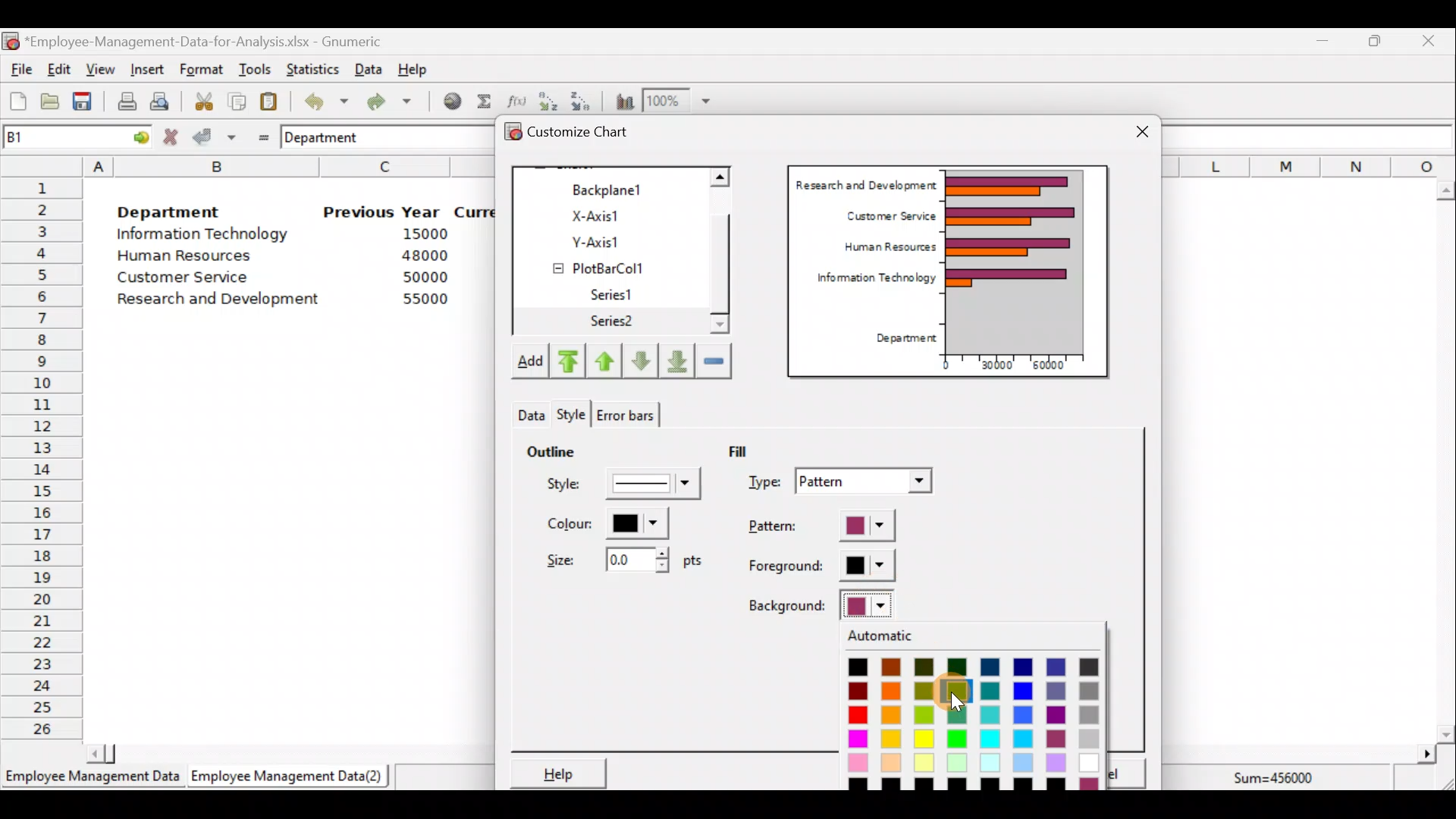 The width and height of the screenshot is (1456, 819). Describe the element at coordinates (887, 214) in the screenshot. I see `Customer Service` at that location.